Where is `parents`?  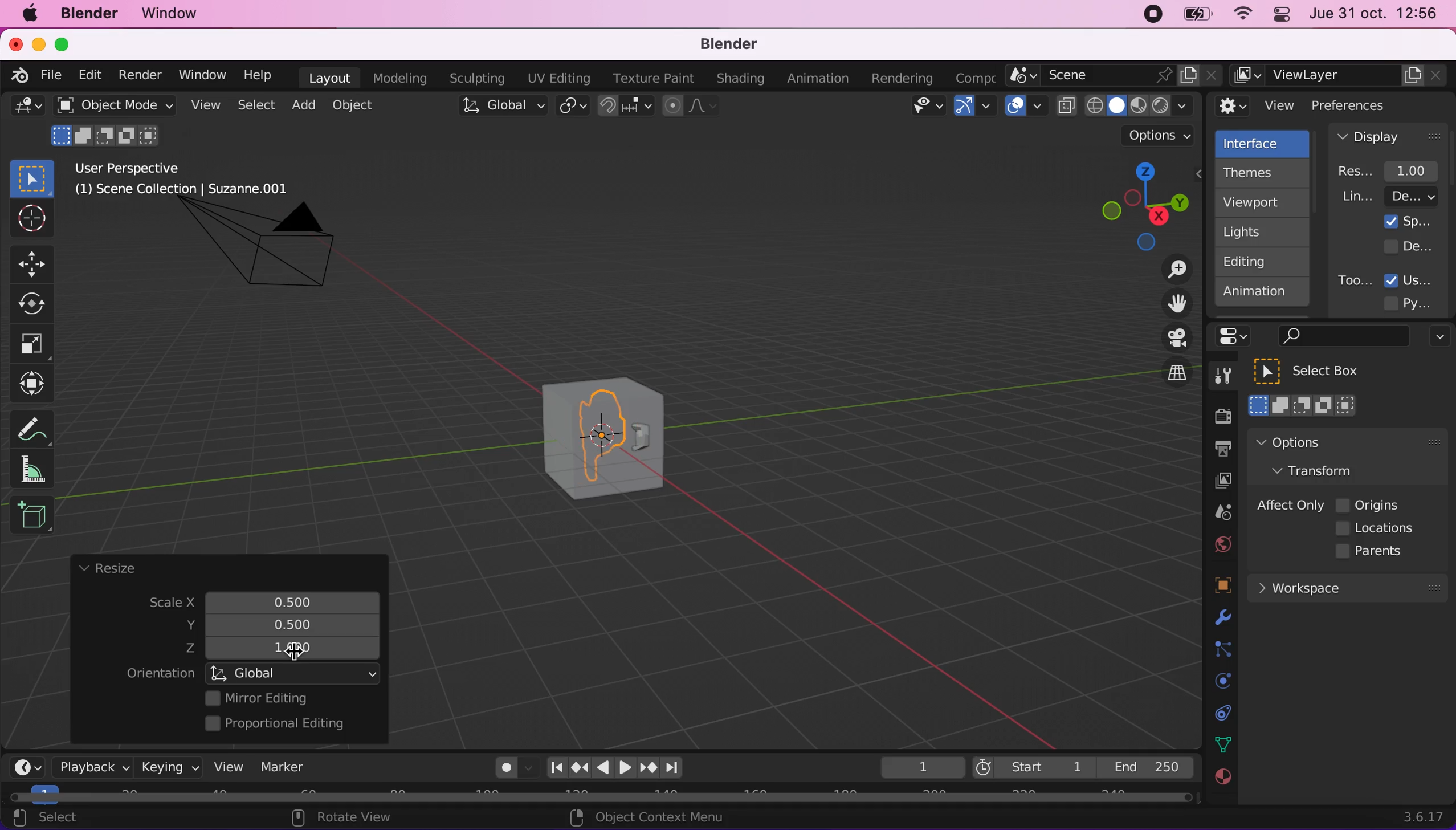
parents is located at coordinates (1375, 552).